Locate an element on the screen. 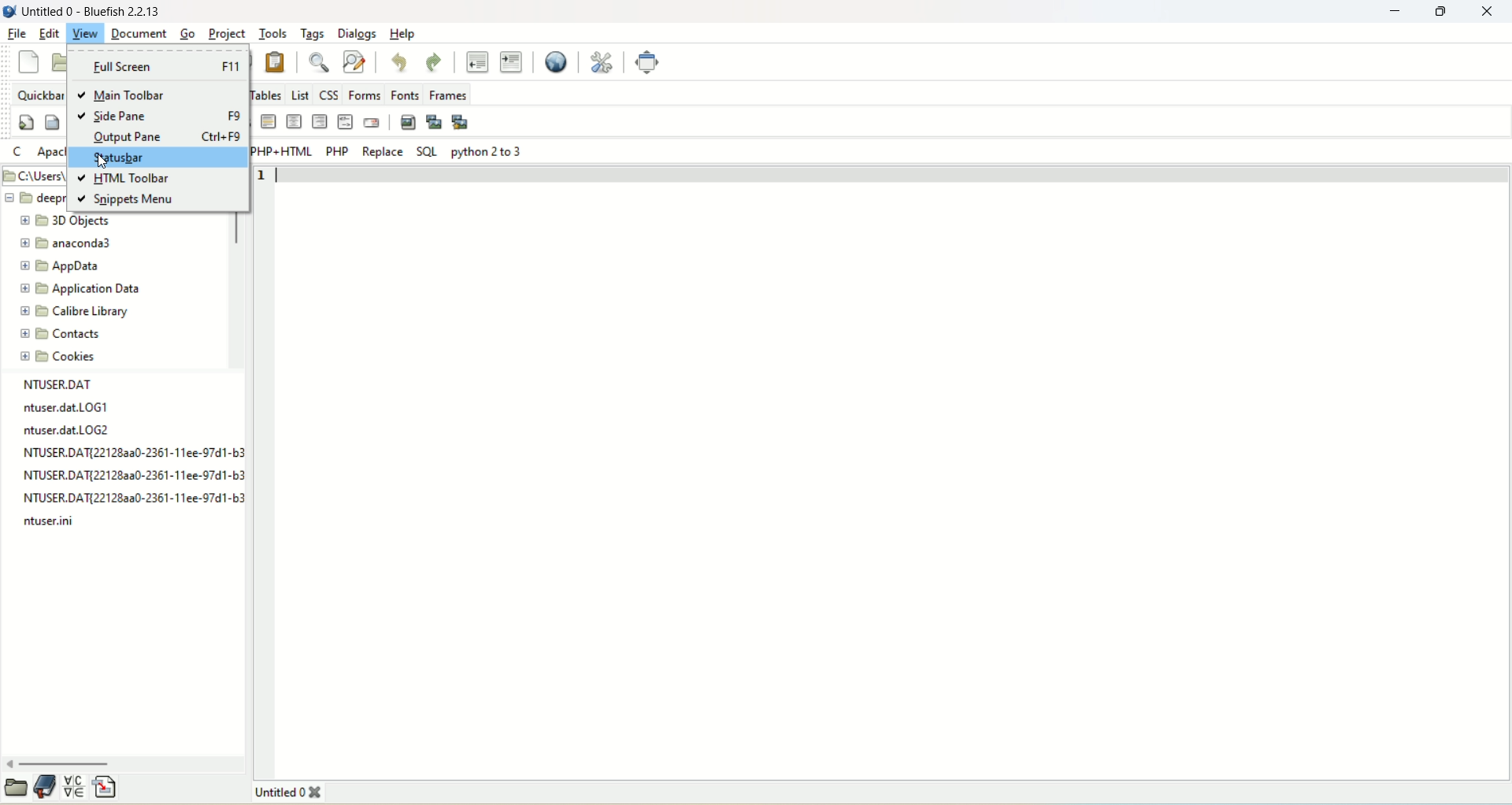  appdata is located at coordinates (61, 267).